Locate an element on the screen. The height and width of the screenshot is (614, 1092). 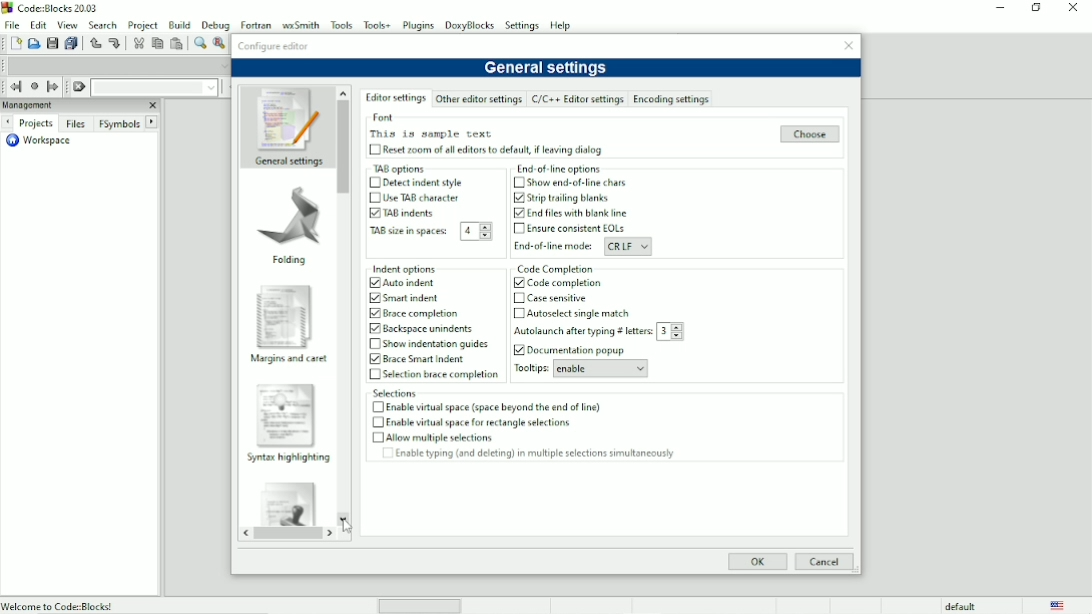
Jump back is located at coordinates (14, 87).